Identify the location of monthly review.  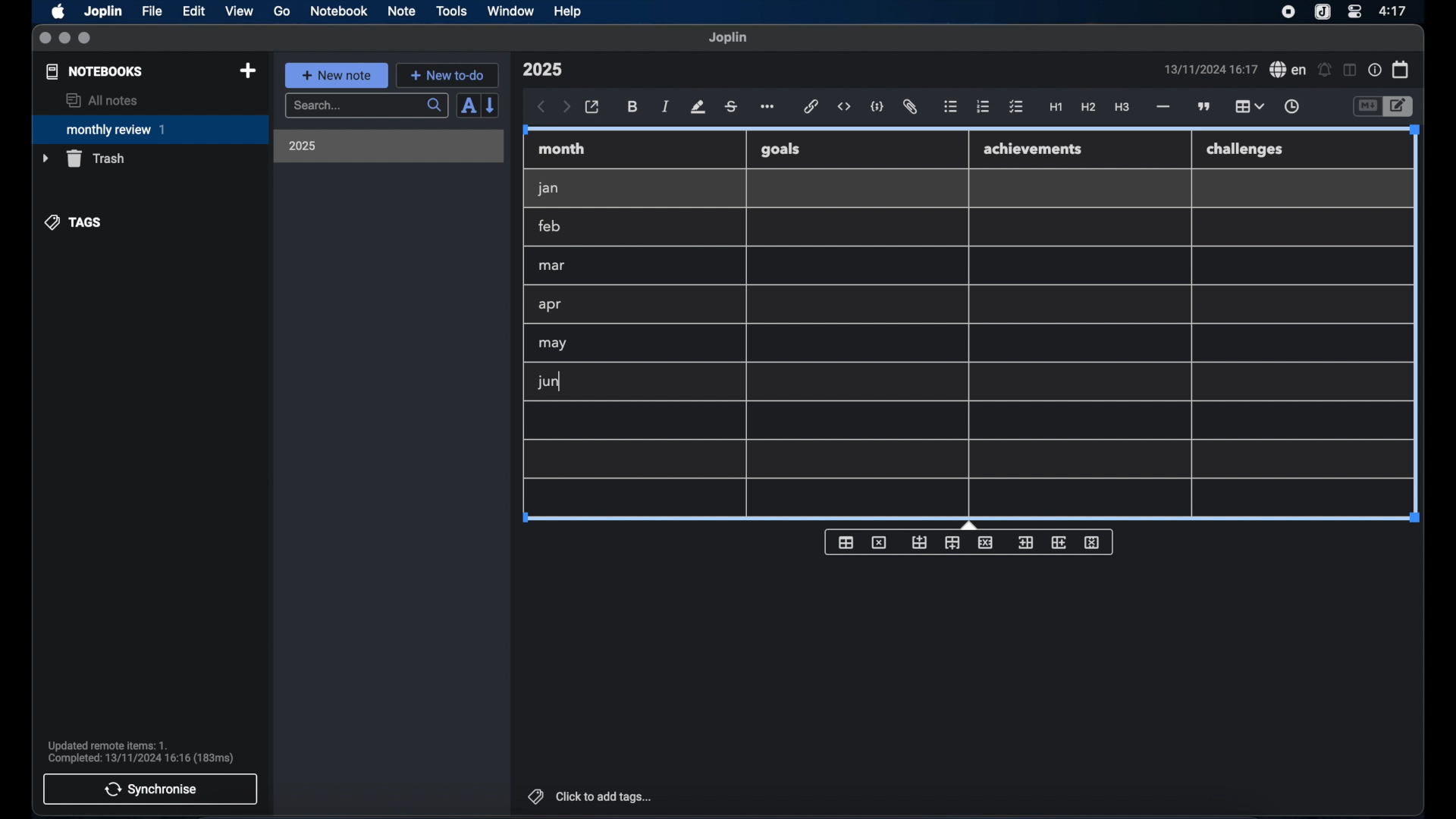
(150, 128).